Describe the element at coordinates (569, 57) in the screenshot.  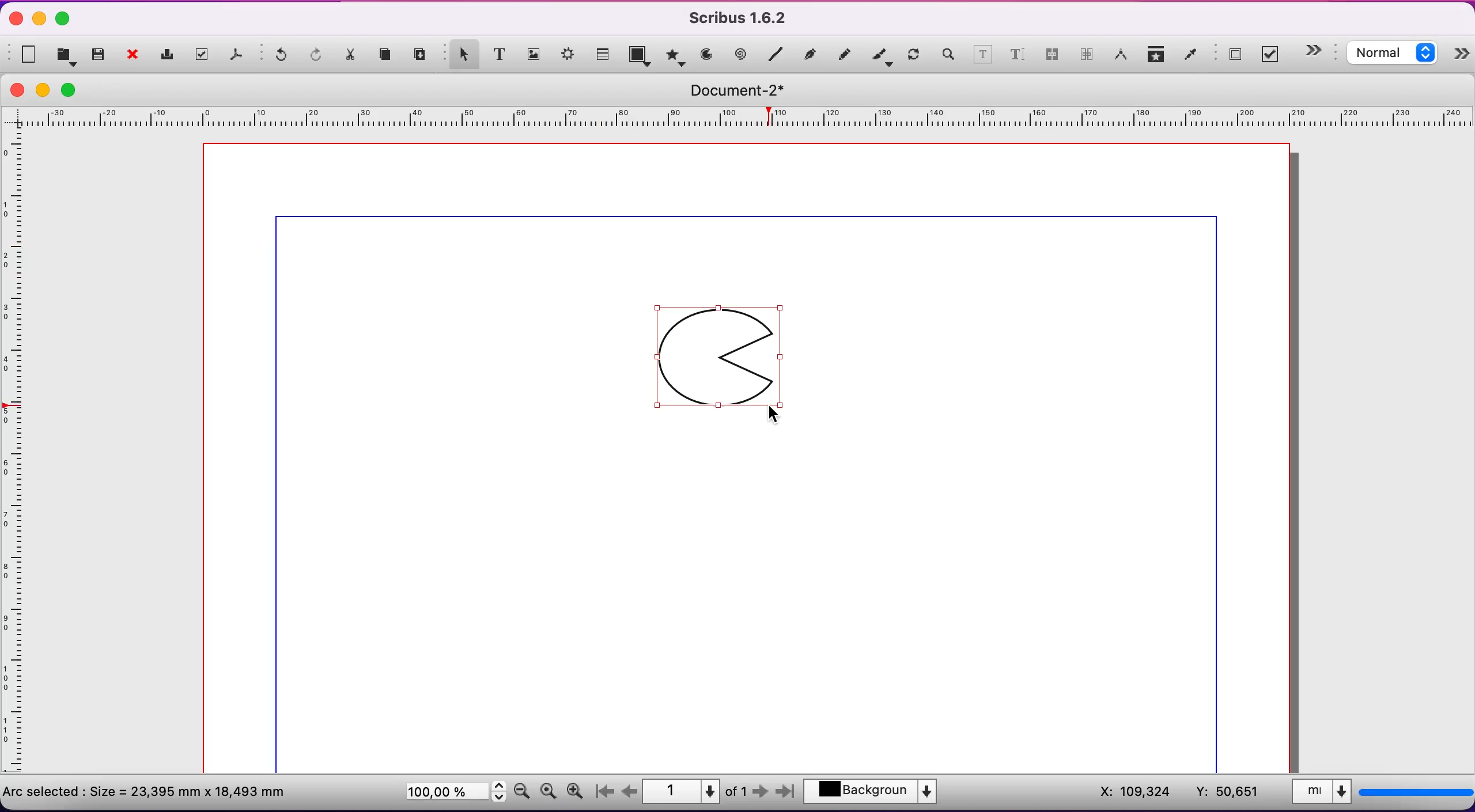
I see `render frame` at that location.